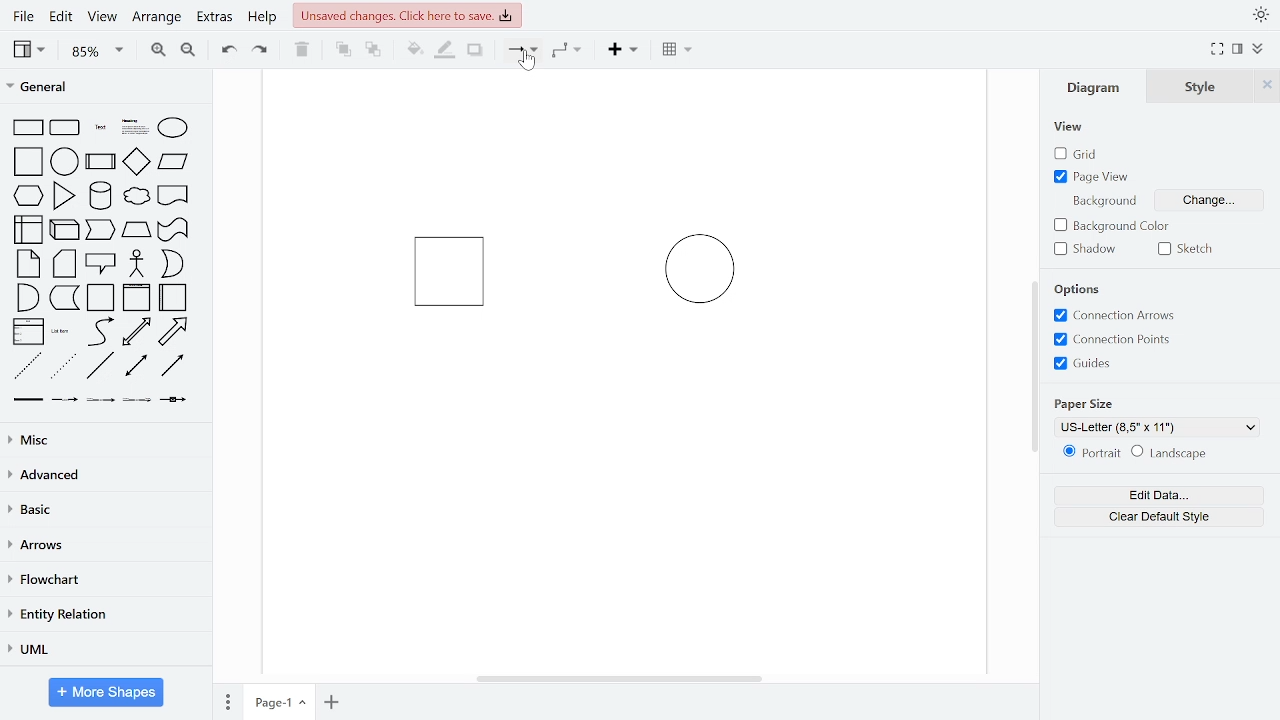 Image resolution: width=1280 pixels, height=720 pixels. I want to click on flowchart, so click(102, 581).